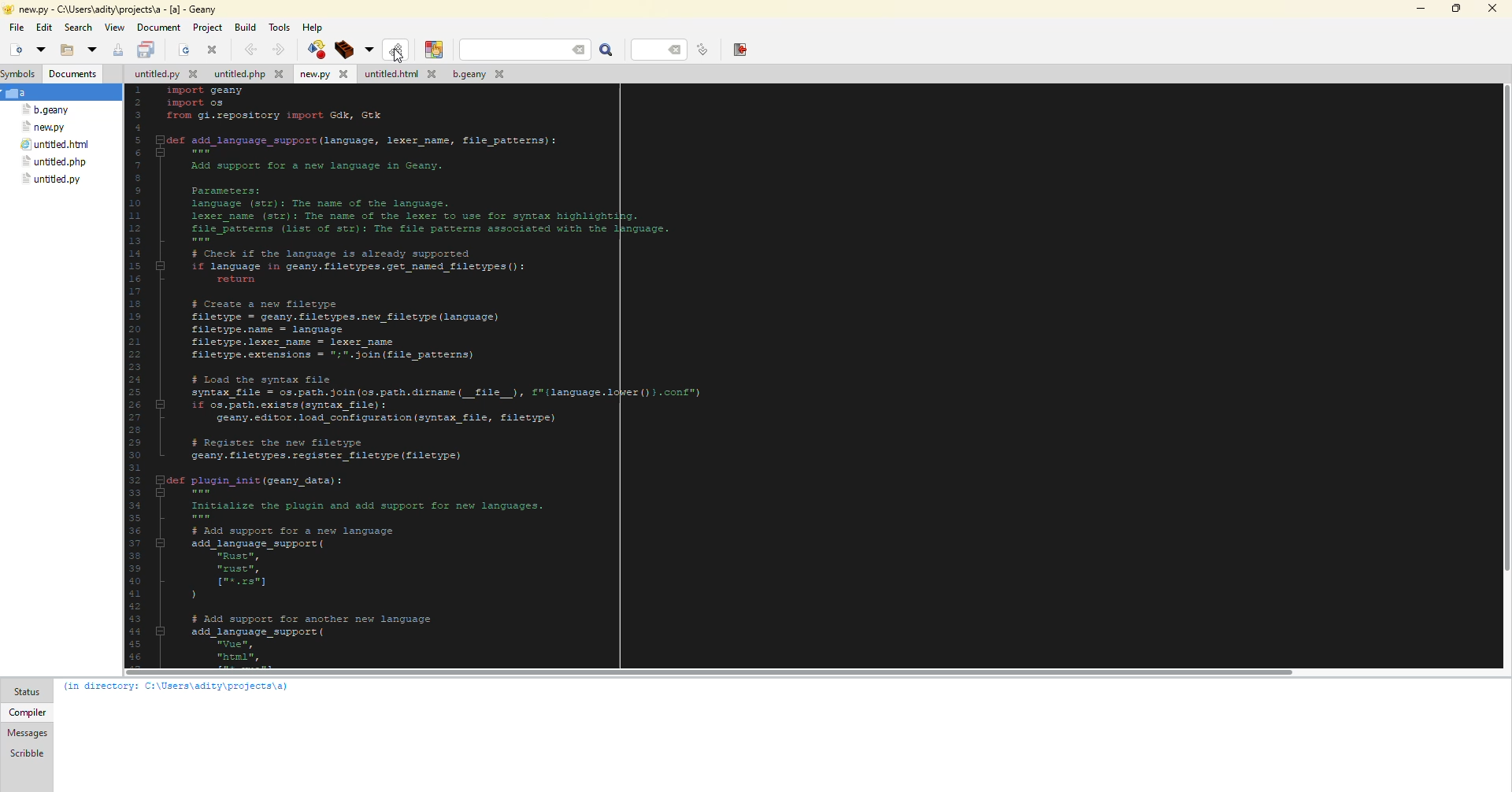 The height and width of the screenshot is (792, 1512). Describe the element at coordinates (1493, 8) in the screenshot. I see `close` at that location.